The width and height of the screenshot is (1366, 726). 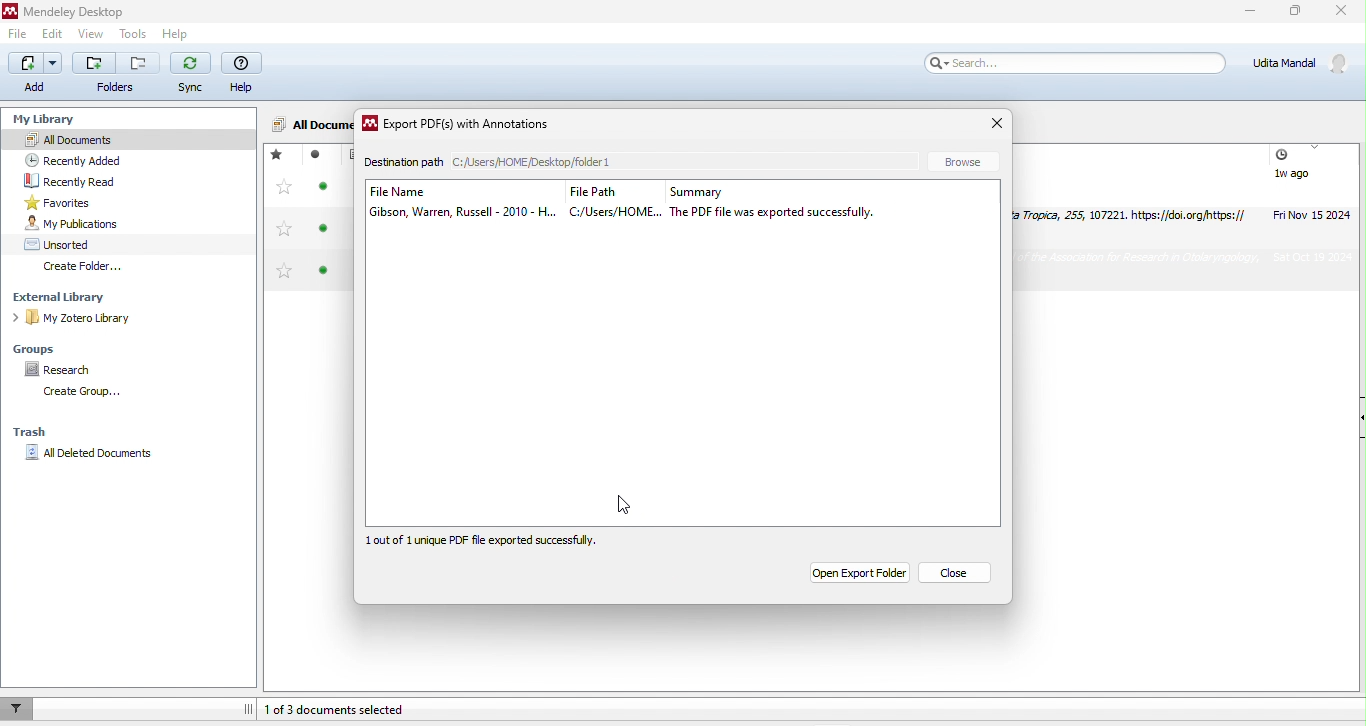 I want to click on cursor movement, so click(x=629, y=505).